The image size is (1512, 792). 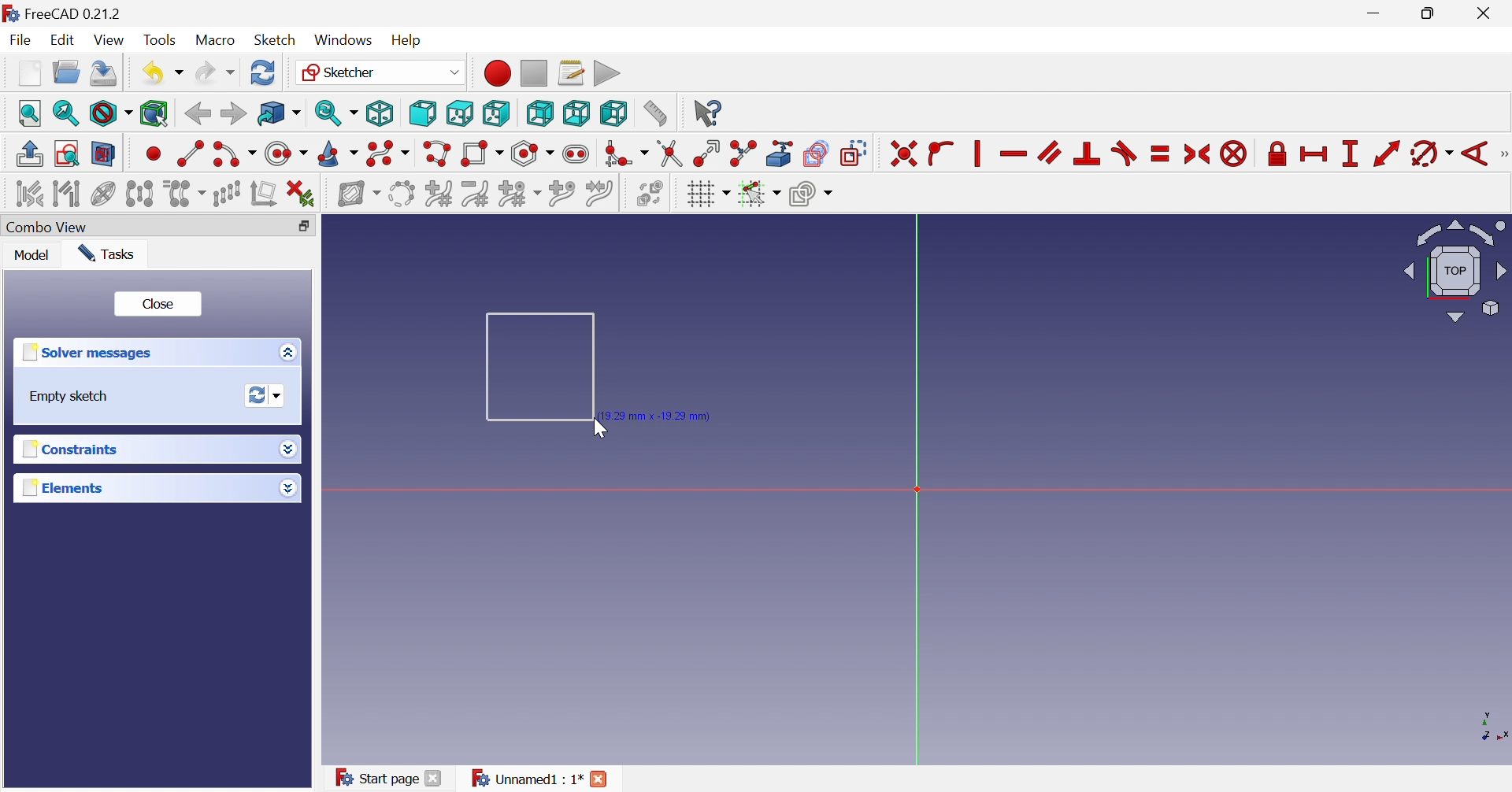 What do you see at coordinates (607, 74) in the screenshot?
I see `Execute macro` at bounding box center [607, 74].